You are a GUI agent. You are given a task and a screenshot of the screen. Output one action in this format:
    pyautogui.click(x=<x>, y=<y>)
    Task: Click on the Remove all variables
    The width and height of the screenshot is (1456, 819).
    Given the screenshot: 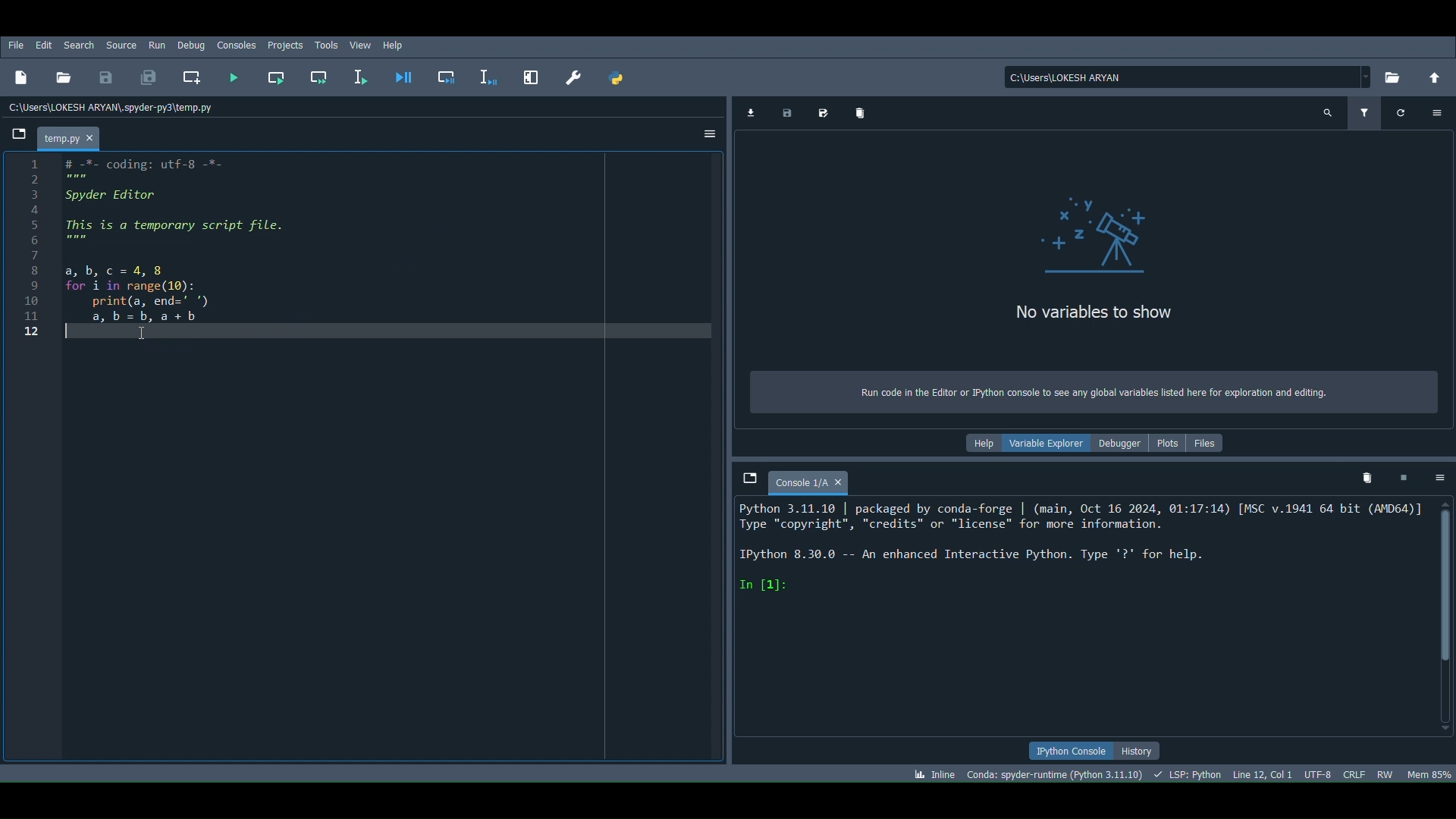 What is the action you would take?
    pyautogui.click(x=861, y=112)
    